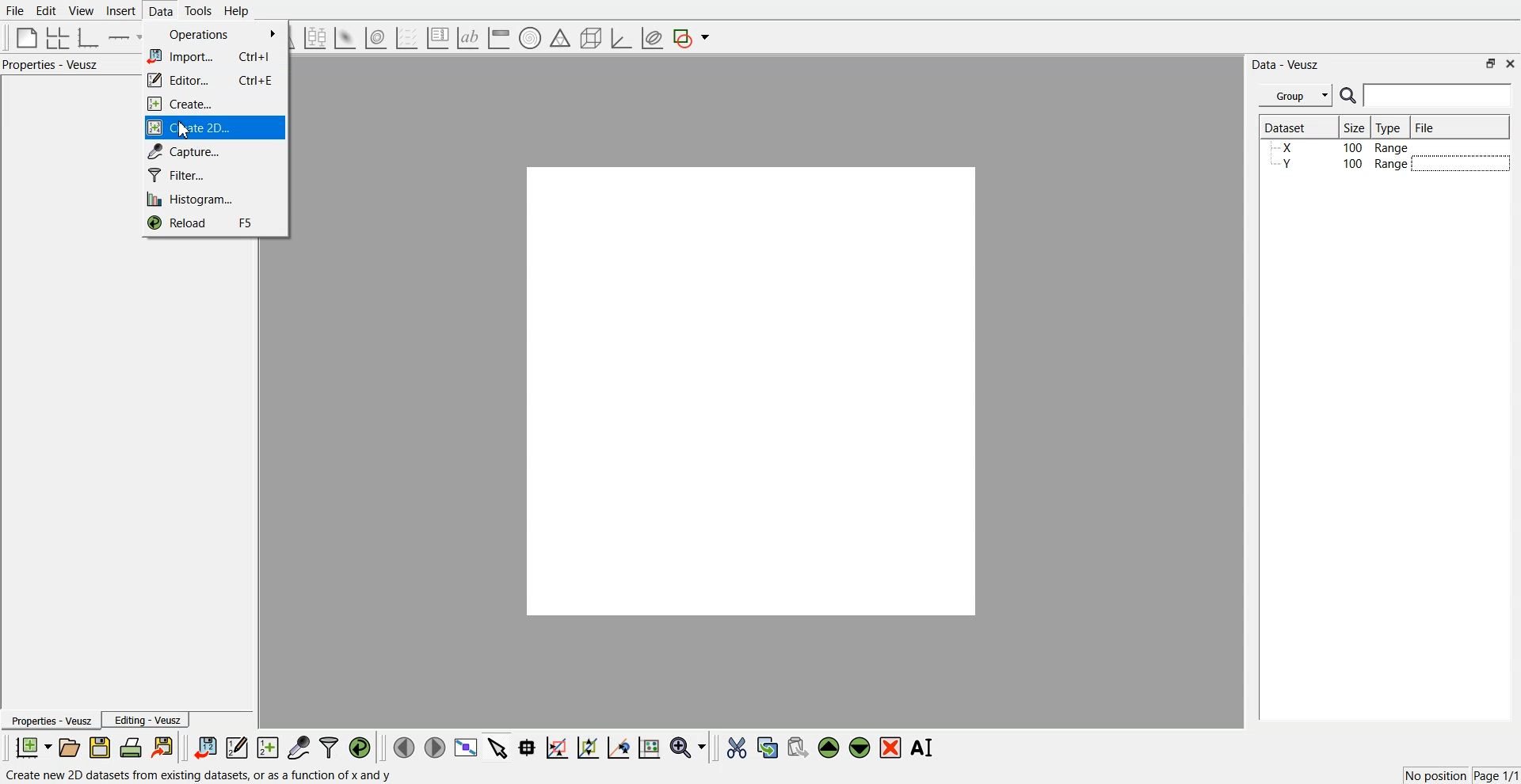 This screenshot has height=784, width=1521. I want to click on Arrange graph in grid, so click(58, 39).